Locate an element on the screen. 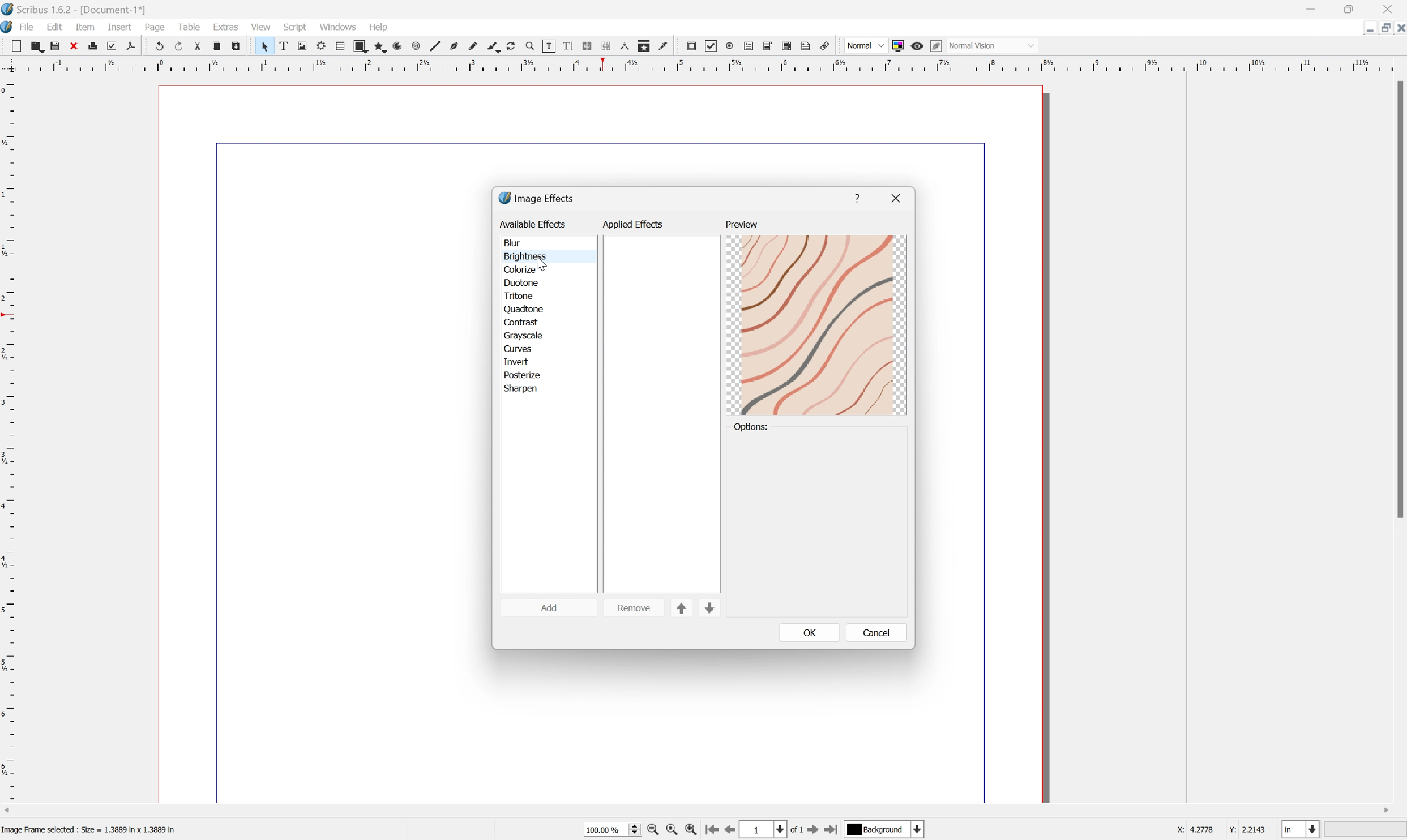 The width and height of the screenshot is (1407, 840). OK is located at coordinates (809, 632).